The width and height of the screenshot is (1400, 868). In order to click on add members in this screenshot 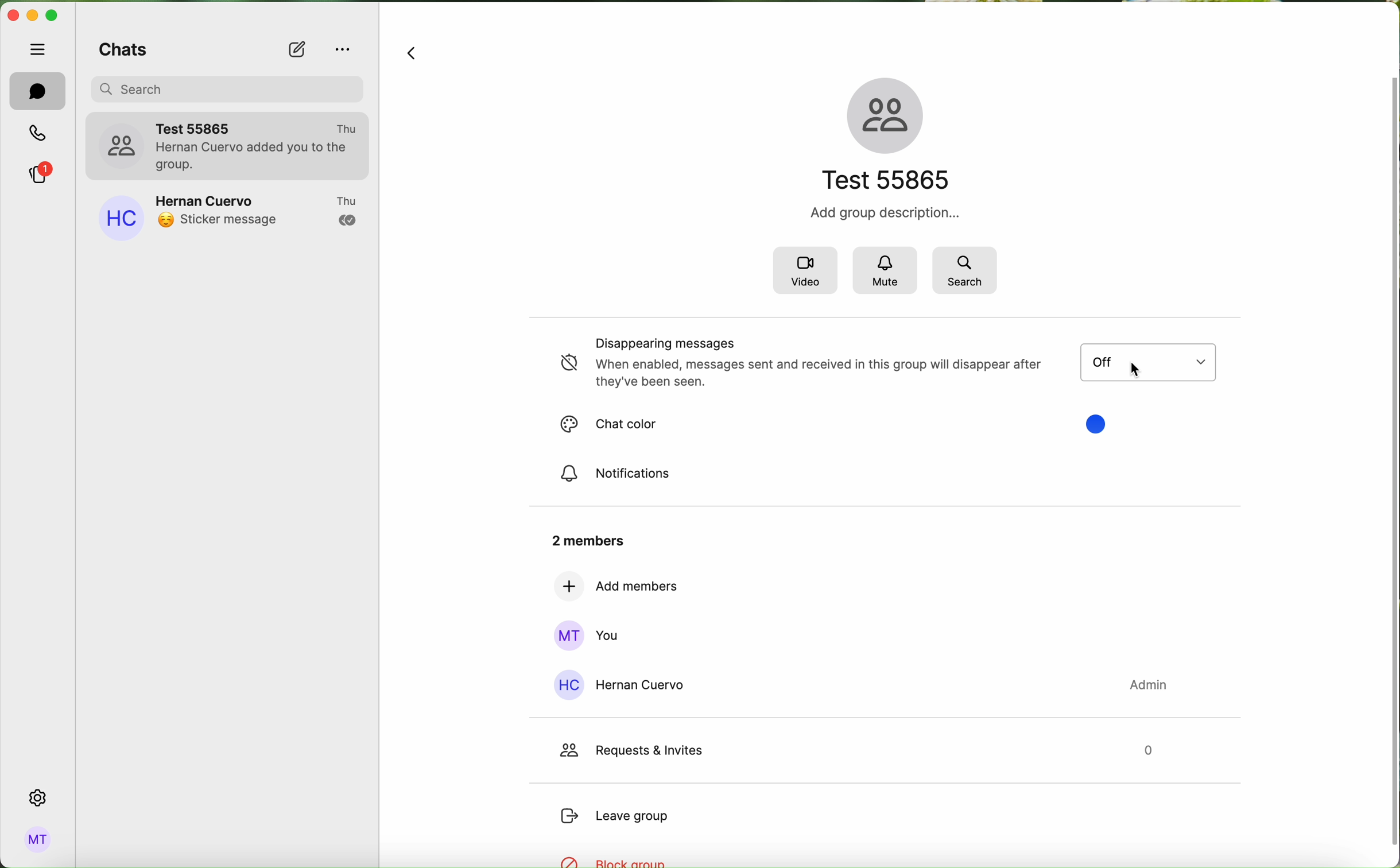, I will do `click(617, 587)`.